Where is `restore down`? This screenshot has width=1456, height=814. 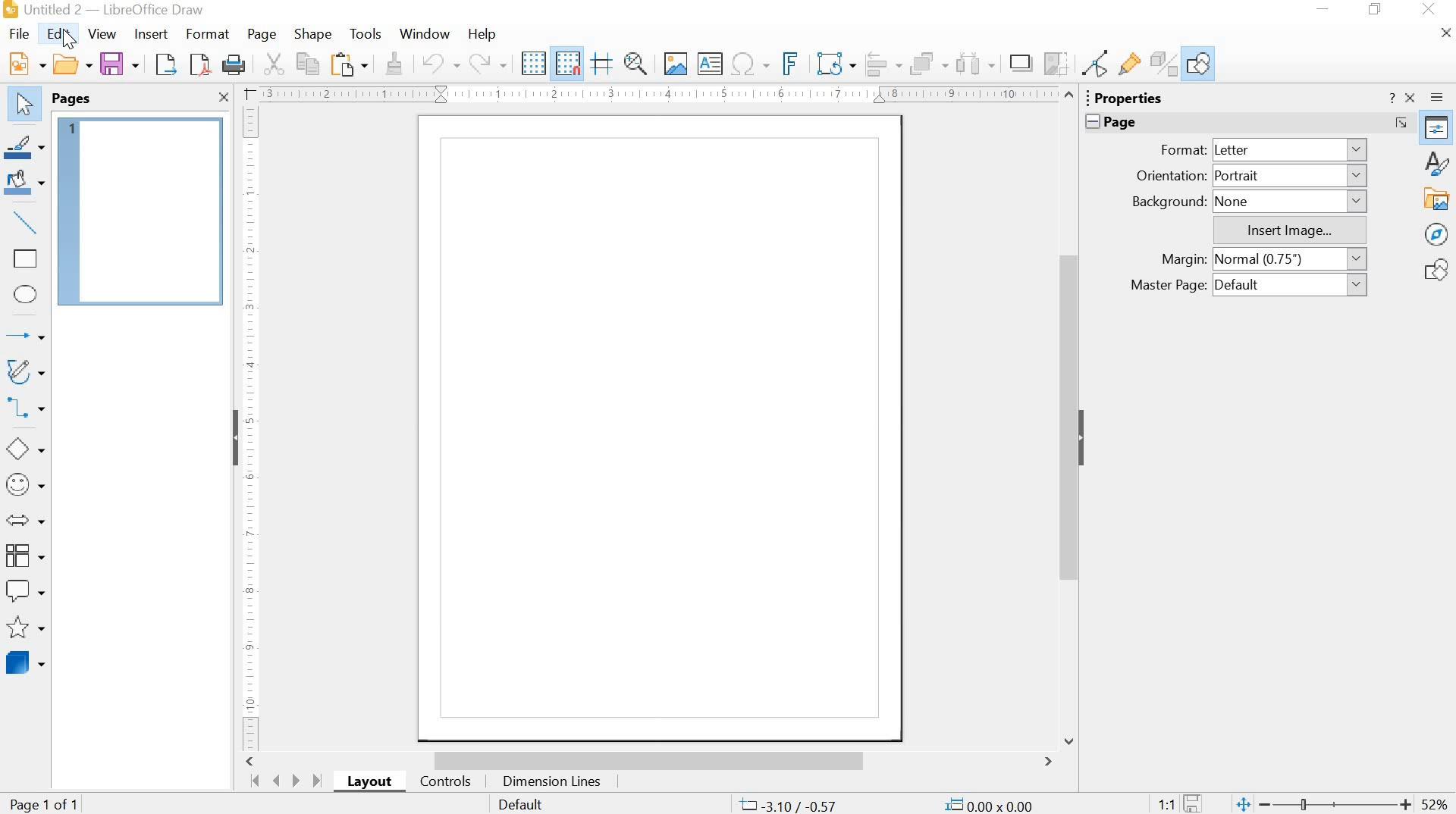 restore down is located at coordinates (1375, 11).